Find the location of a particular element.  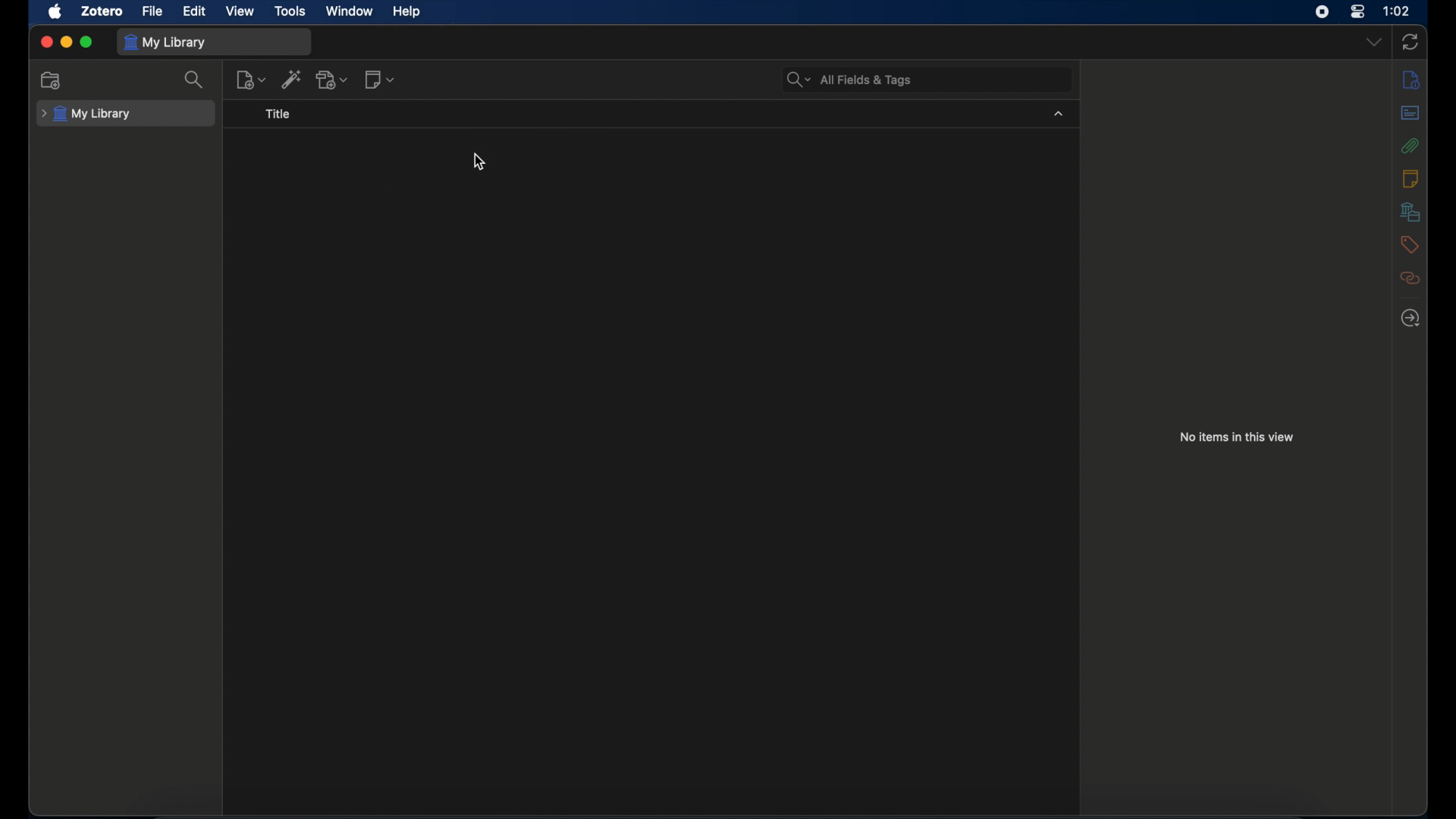

zotero is located at coordinates (102, 12).